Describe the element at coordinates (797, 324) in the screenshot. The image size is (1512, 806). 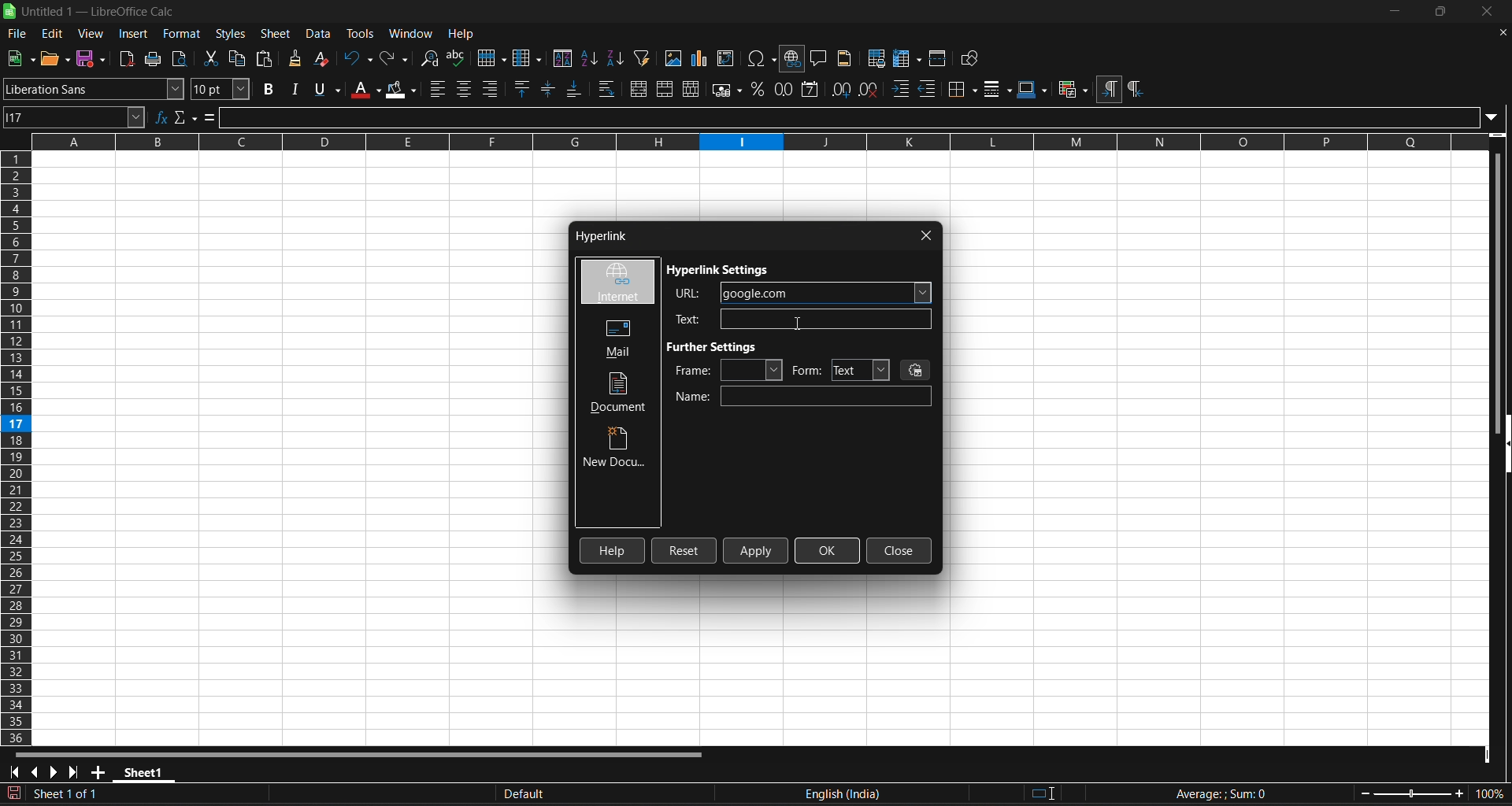
I see `cursor` at that location.